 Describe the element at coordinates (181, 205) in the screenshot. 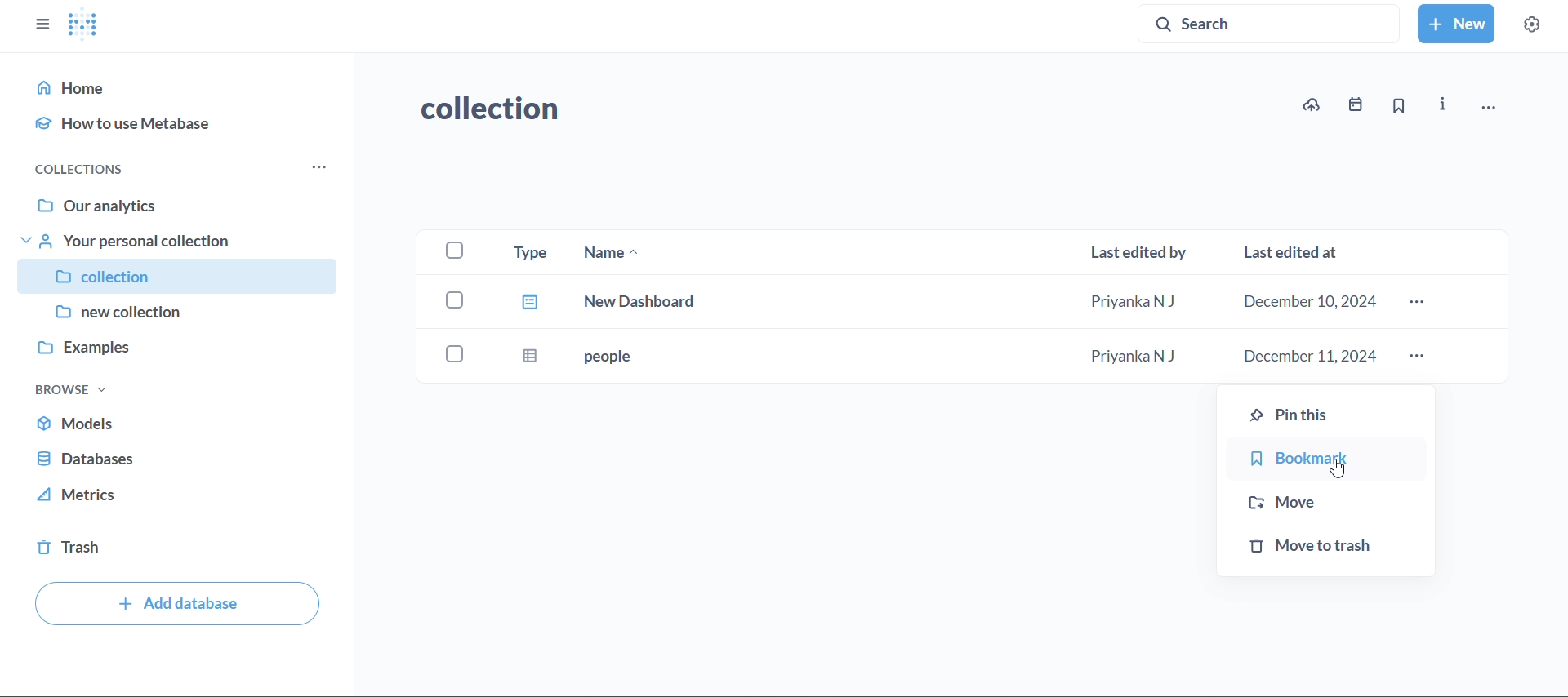

I see `our analytics` at that location.